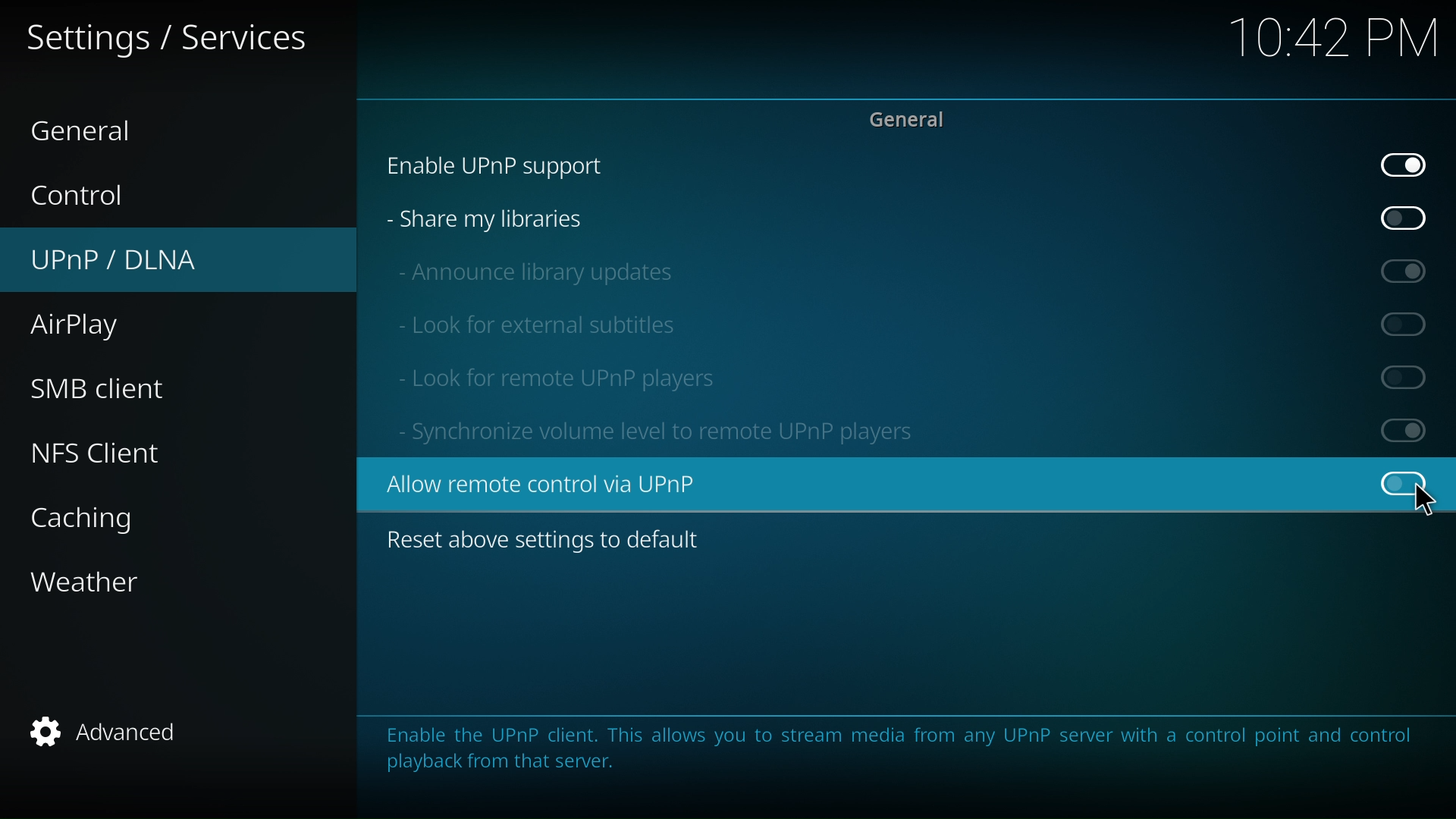  Describe the element at coordinates (911, 432) in the screenshot. I see `Synchronize volume level to remote UPnP players ` at that location.